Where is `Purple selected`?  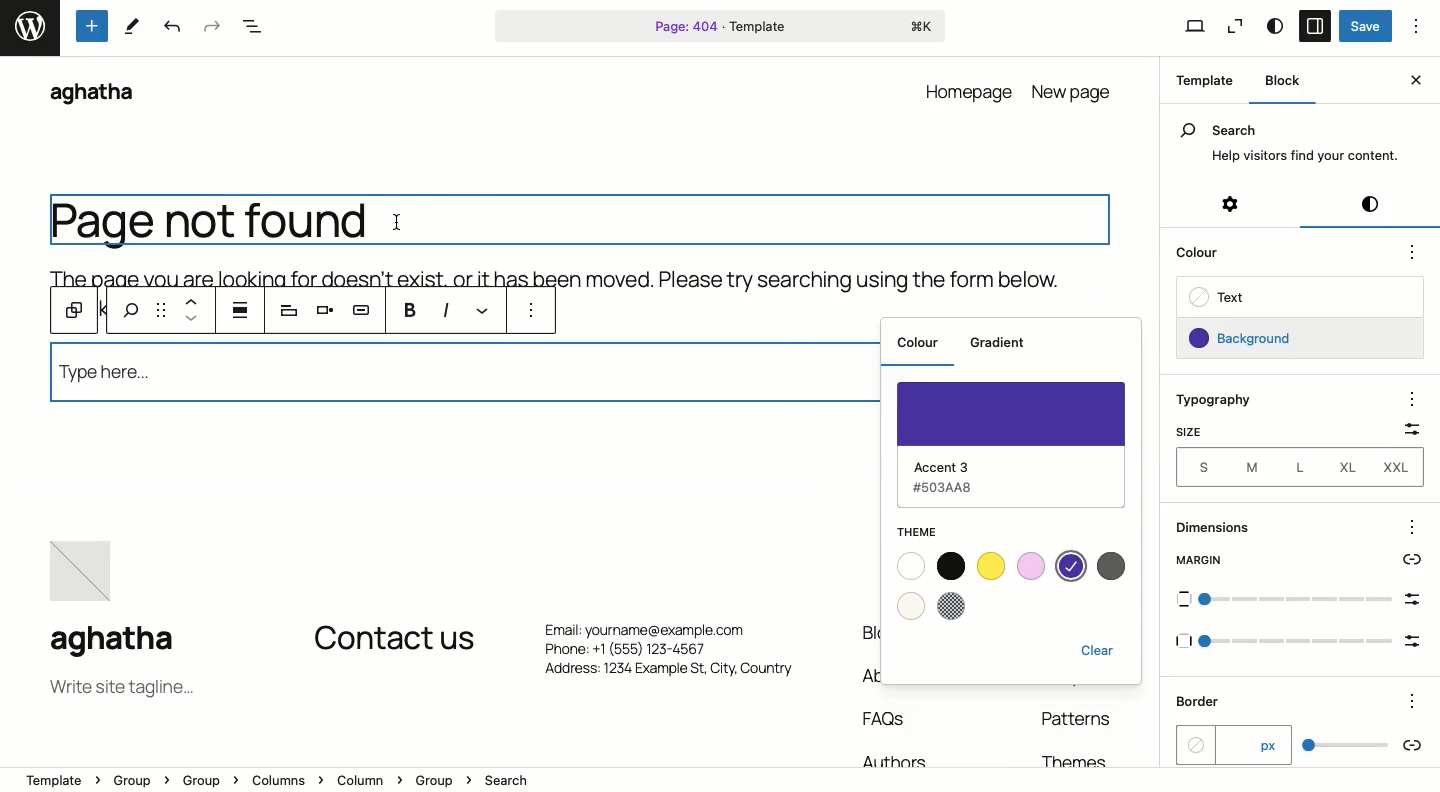 Purple selected is located at coordinates (1070, 567).